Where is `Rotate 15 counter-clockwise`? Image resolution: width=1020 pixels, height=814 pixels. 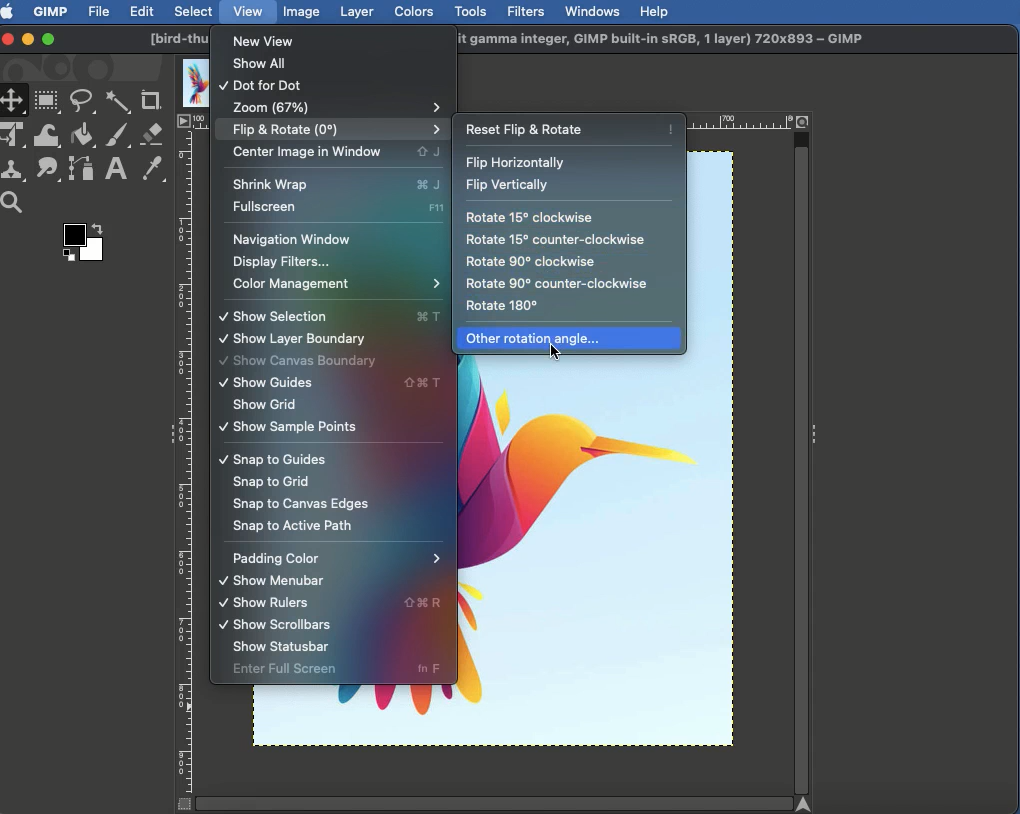
Rotate 15 counter-clockwise is located at coordinates (557, 240).